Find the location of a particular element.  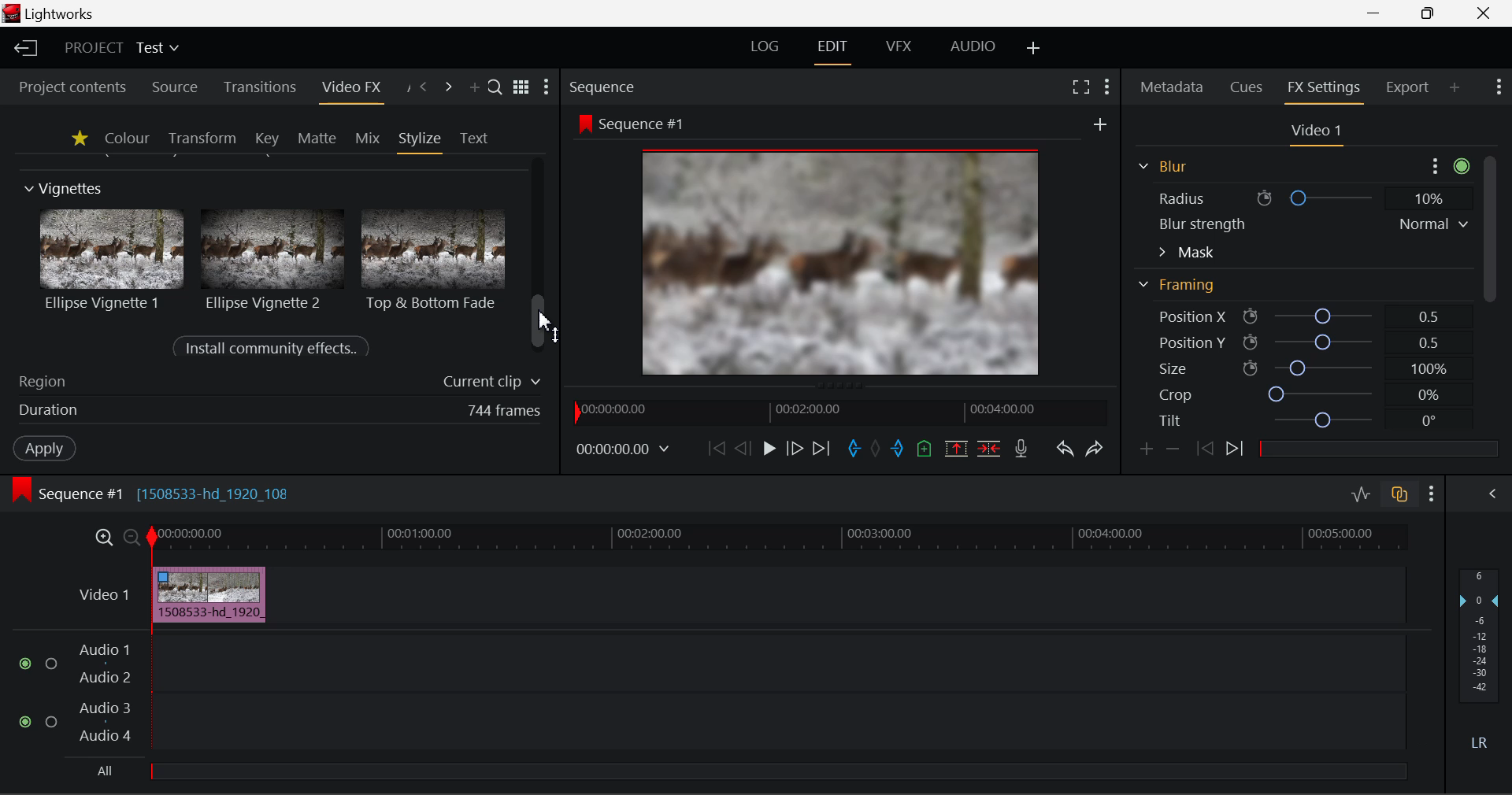

Install community effects is located at coordinates (275, 349).